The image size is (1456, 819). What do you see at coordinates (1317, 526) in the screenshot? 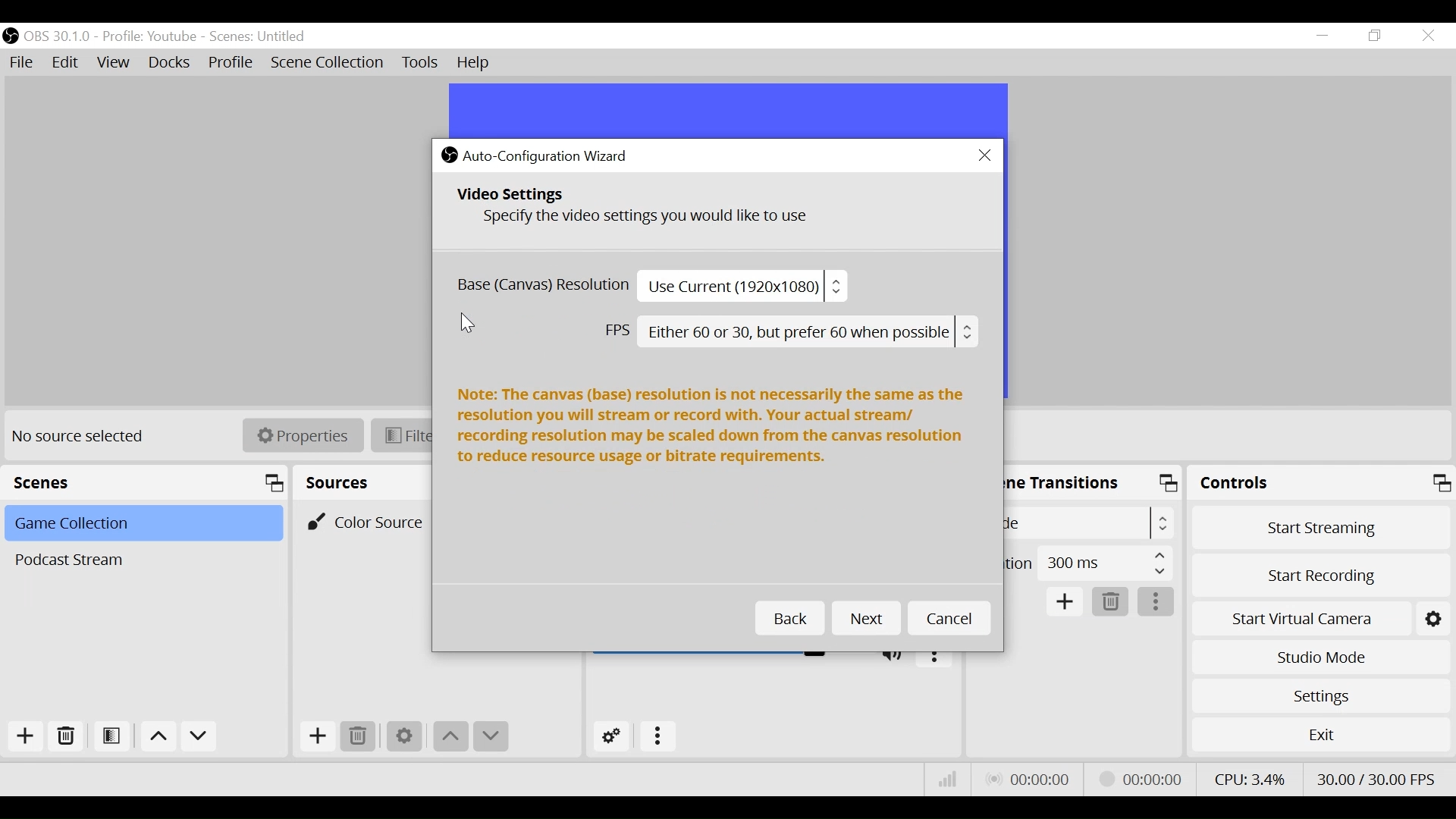
I see `Start Streaming` at bounding box center [1317, 526].